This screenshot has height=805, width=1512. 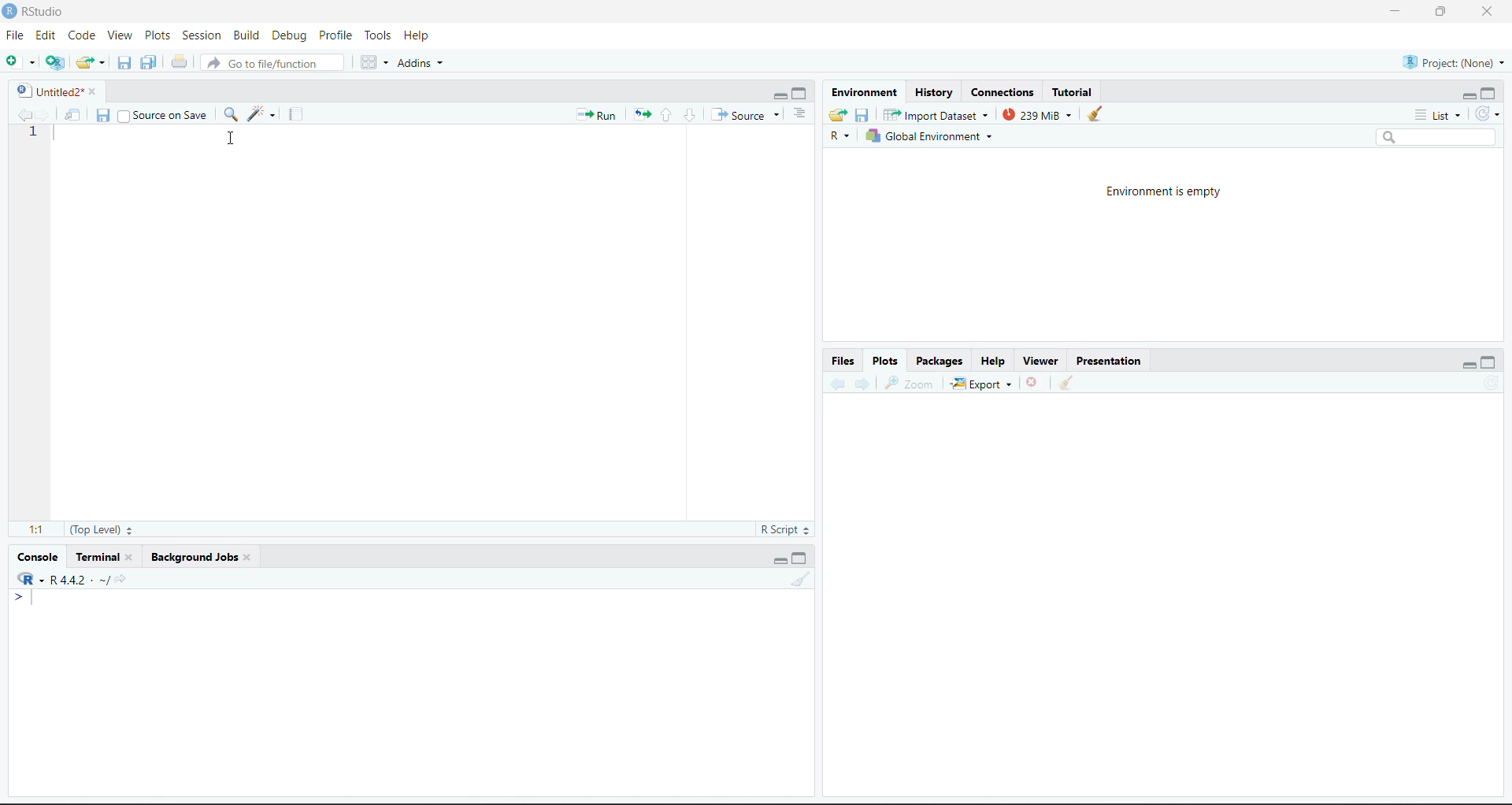 I want to click on File, so click(x=17, y=35).